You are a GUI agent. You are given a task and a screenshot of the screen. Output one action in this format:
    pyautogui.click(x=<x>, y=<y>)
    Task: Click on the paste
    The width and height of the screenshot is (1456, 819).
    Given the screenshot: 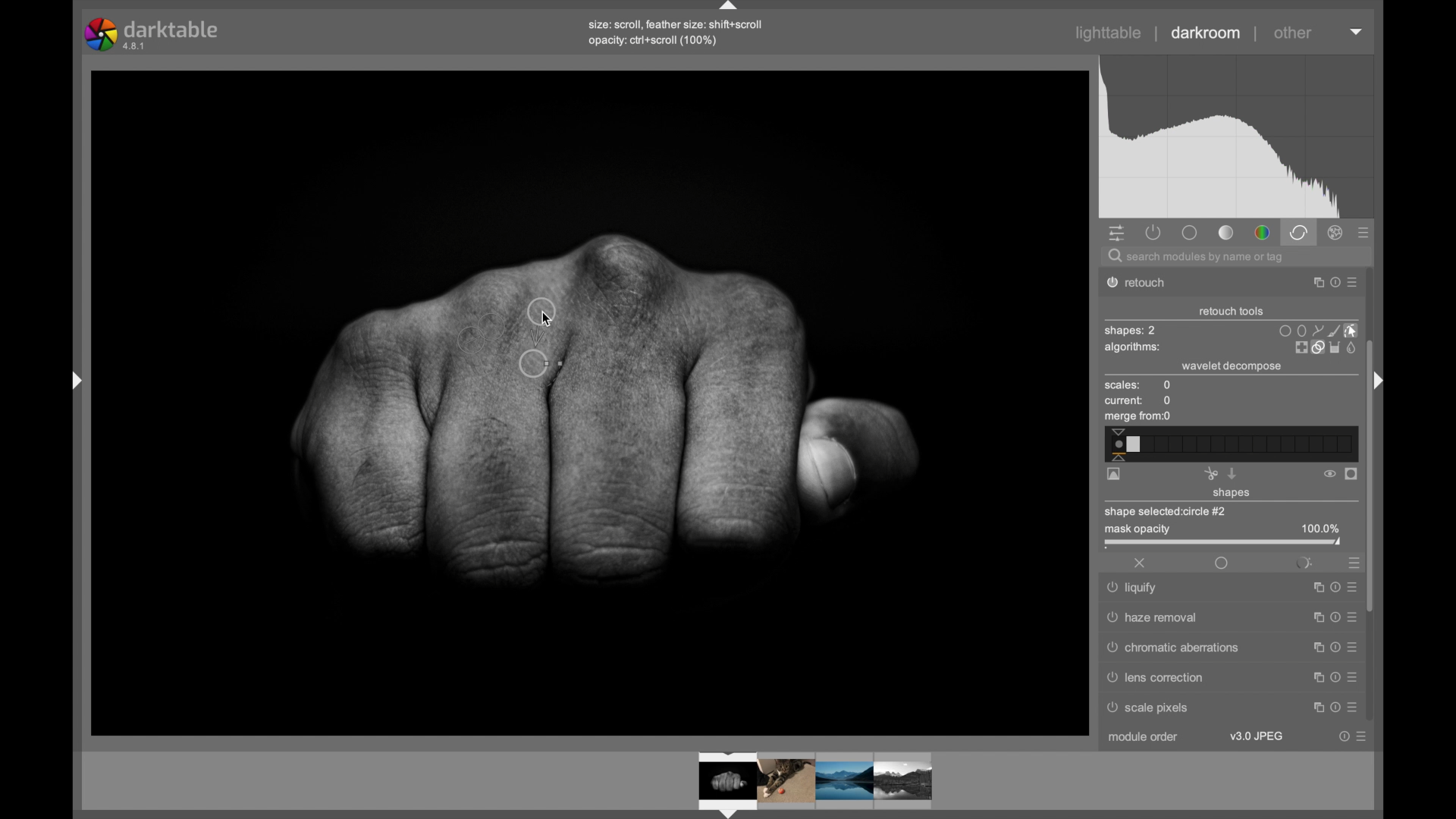 What is the action you would take?
    pyautogui.click(x=1232, y=473)
    